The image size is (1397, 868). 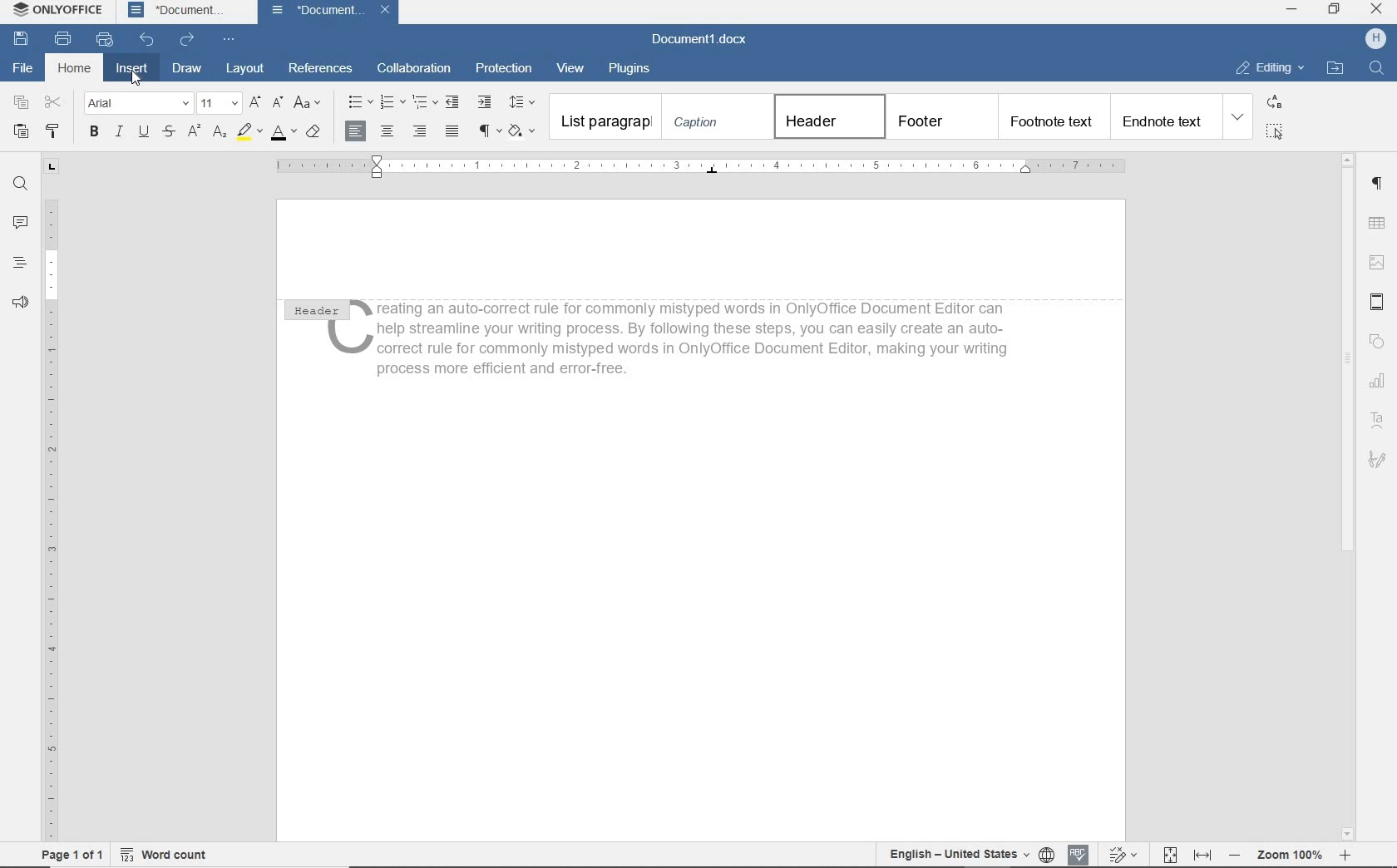 I want to click on HEADING 3, so click(x=1051, y=116).